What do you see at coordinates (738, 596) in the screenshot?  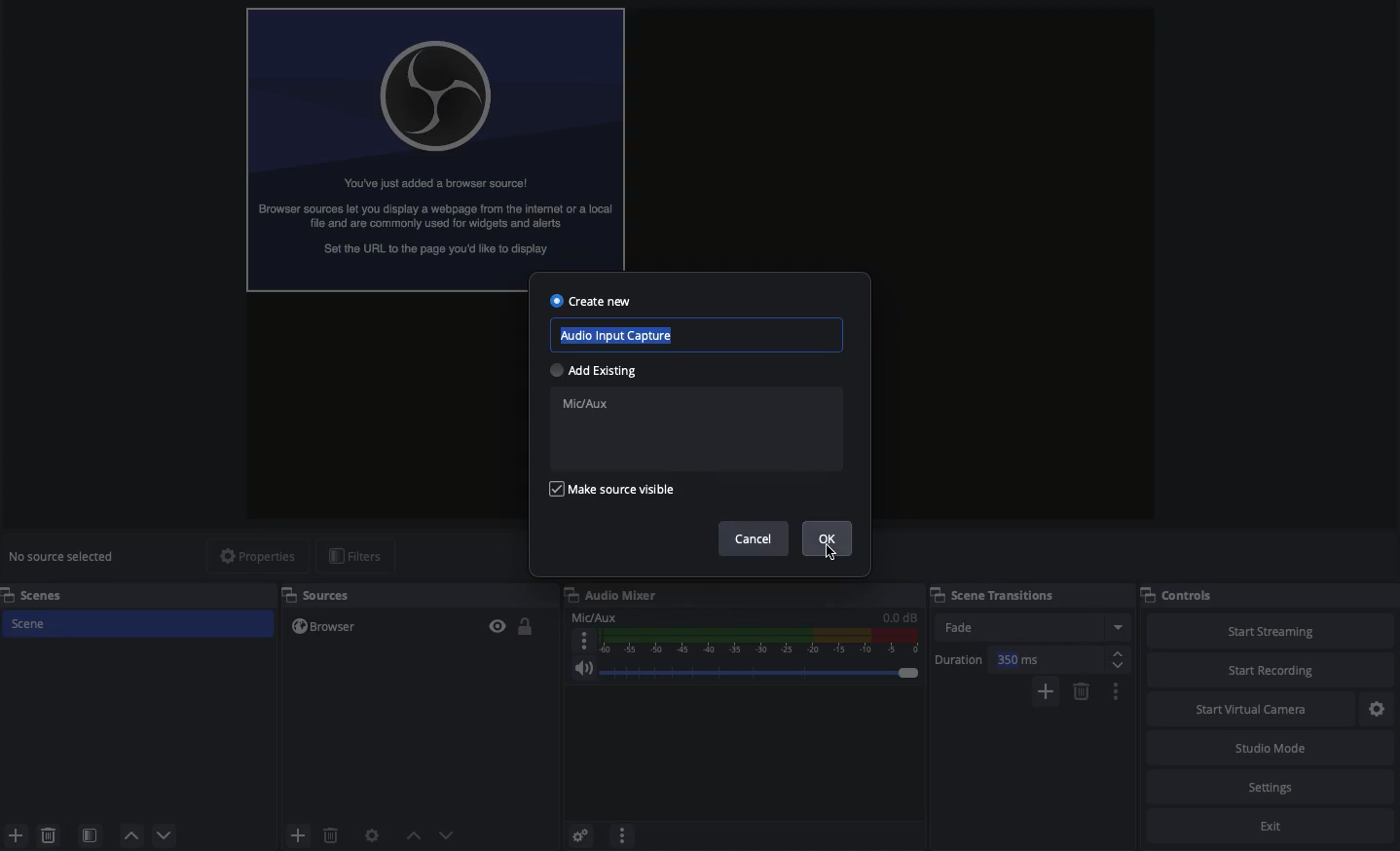 I see `Audio mixer` at bounding box center [738, 596].